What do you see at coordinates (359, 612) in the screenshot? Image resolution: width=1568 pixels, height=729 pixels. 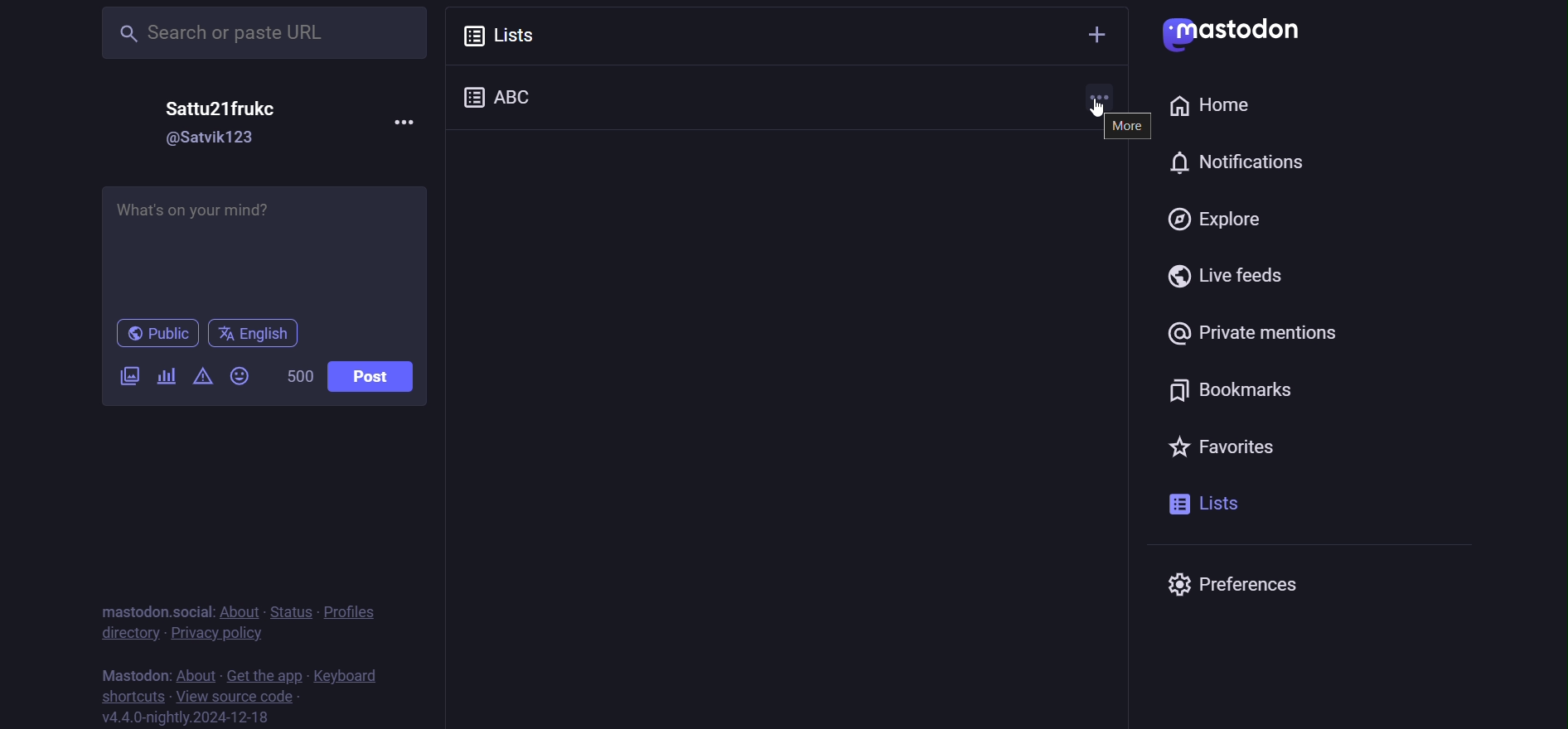 I see `profiles` at bounding box center [359, 612].